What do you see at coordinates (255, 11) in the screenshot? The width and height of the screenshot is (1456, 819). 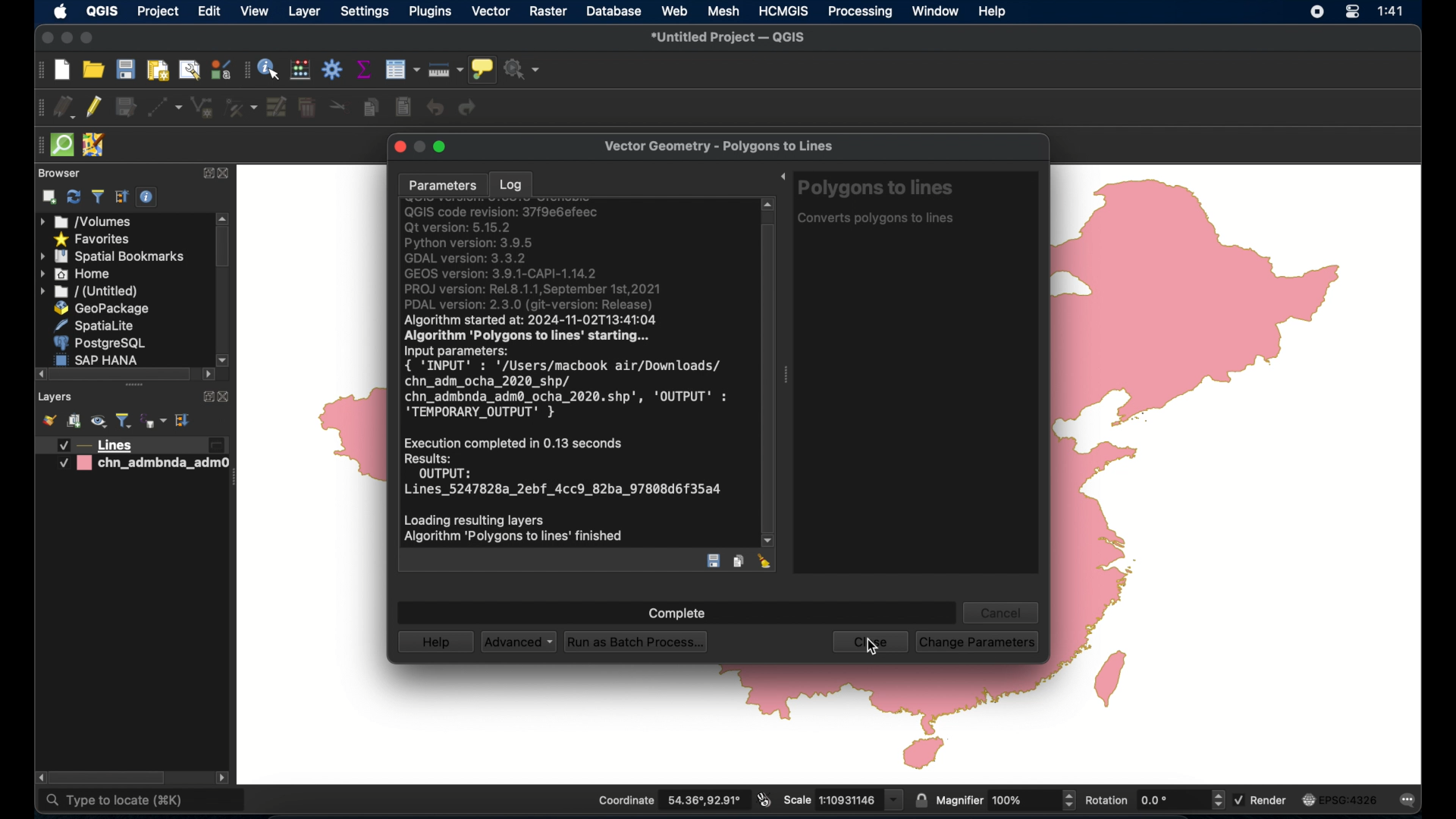 I see `view` at bounding box center [255, 11].